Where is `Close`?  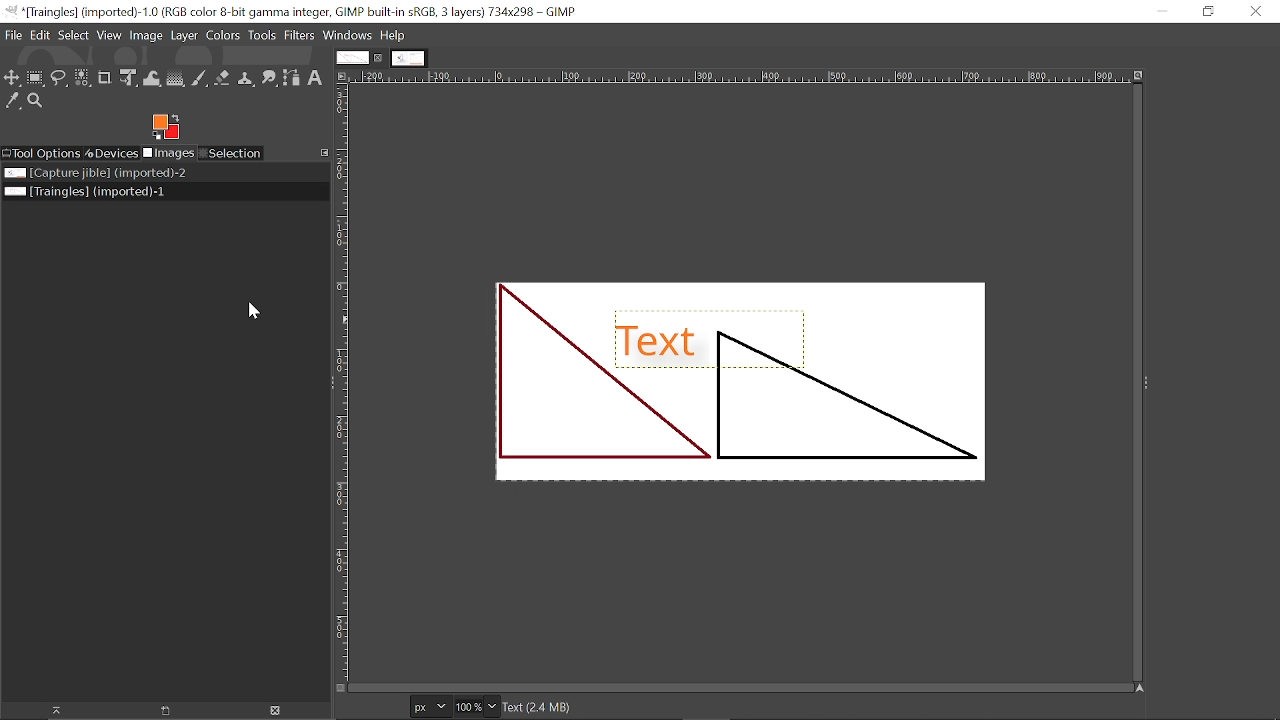 Close is located at coordinates (1254, 14).